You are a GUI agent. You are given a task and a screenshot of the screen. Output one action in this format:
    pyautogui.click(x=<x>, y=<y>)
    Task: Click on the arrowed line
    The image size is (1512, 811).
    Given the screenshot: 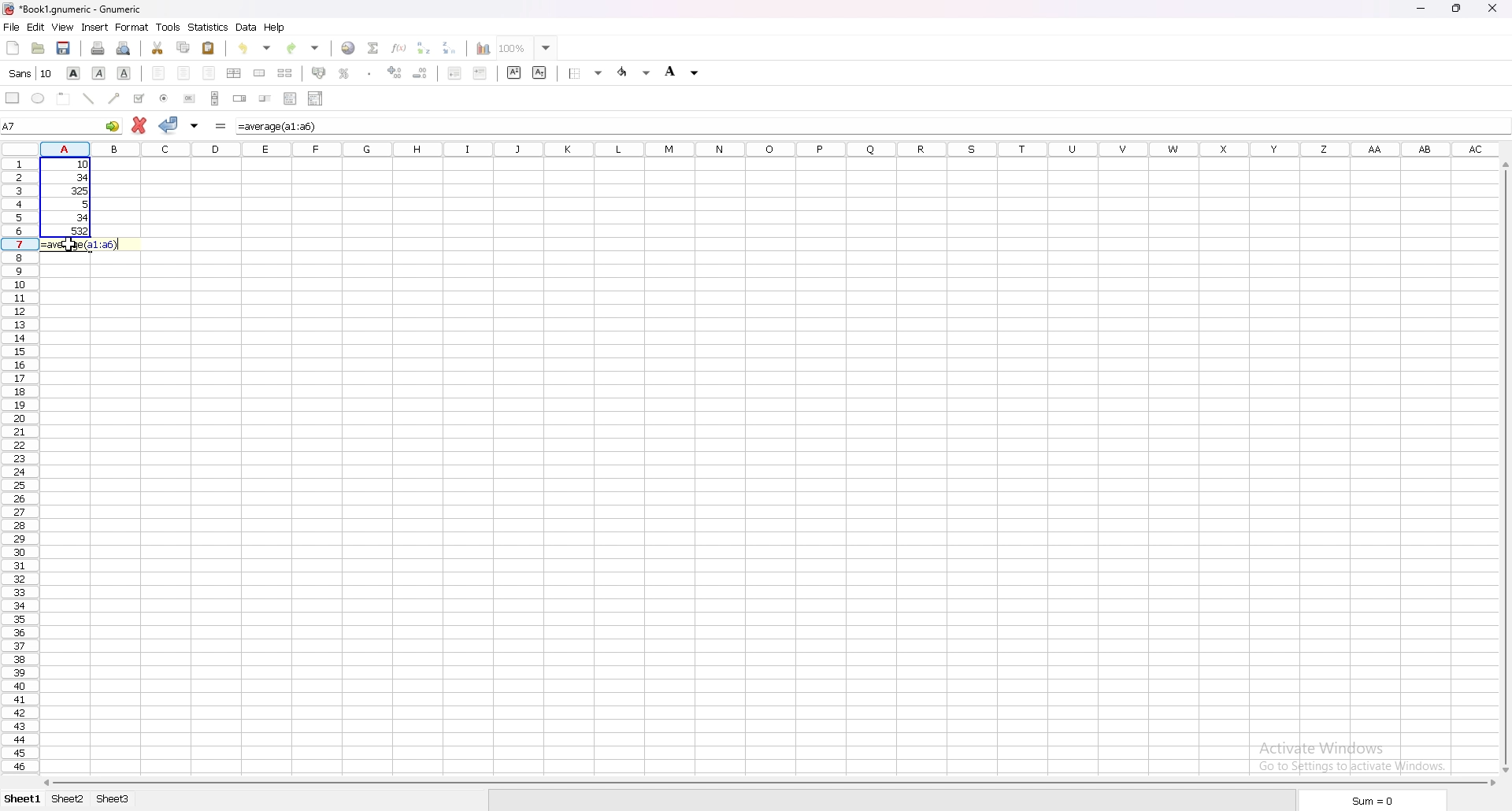 What is the action you would take?
    pyautogui.click(x=114, y=98)
    